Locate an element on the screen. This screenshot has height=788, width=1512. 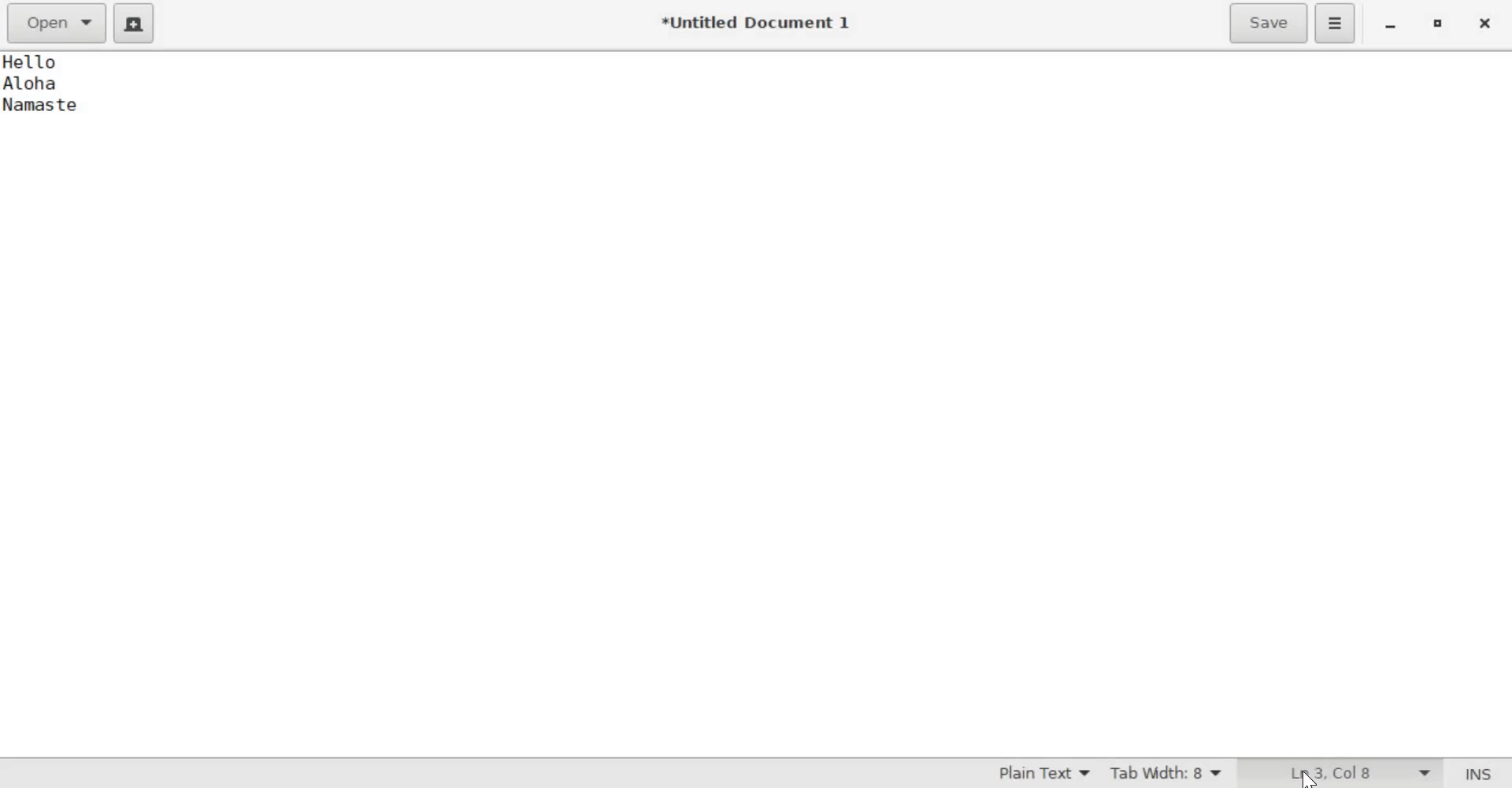
create a new document is located at coordinates (135, 24).